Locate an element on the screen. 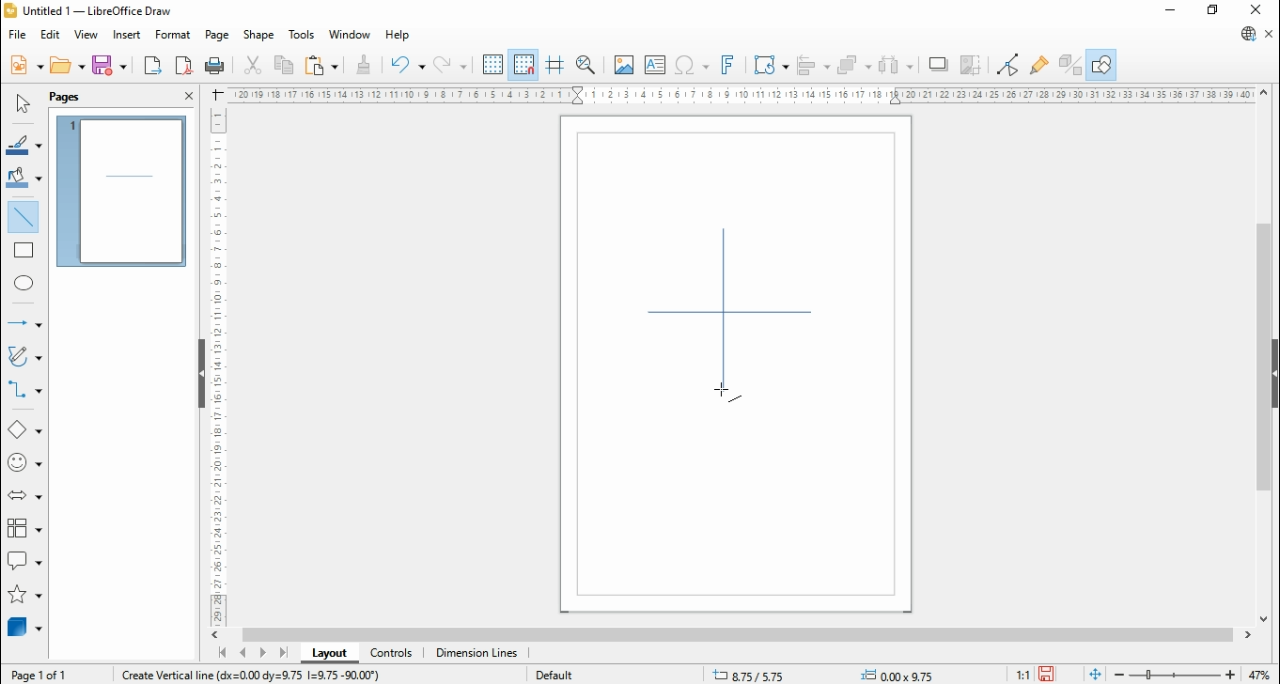 The image size is (1280, 684). toggle extrusions is located at coordinates (1069, 64).